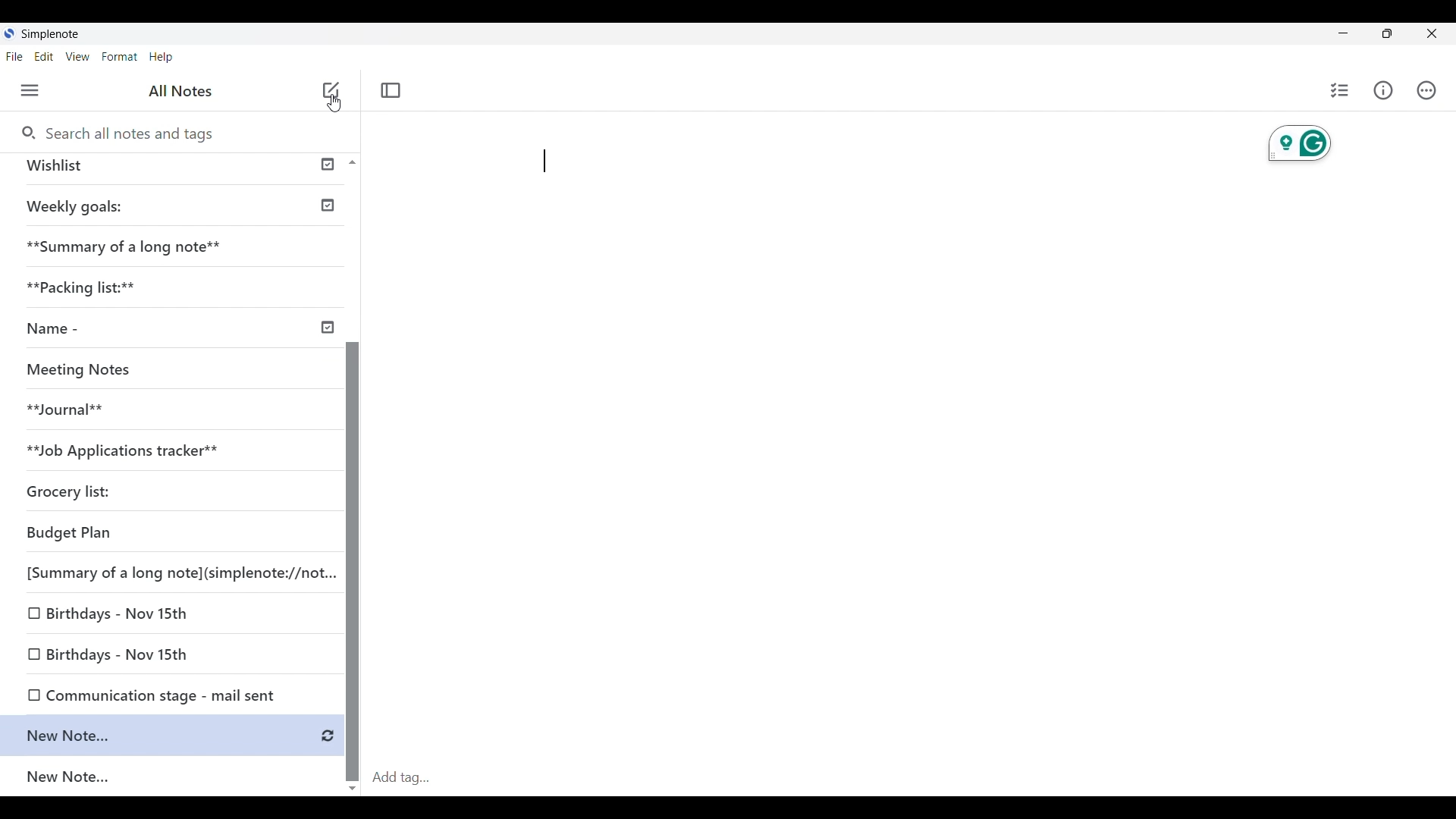 The width and height of the screenshot is (1456, 819). I want to click on Toggle focus mode, so click(391, 90).